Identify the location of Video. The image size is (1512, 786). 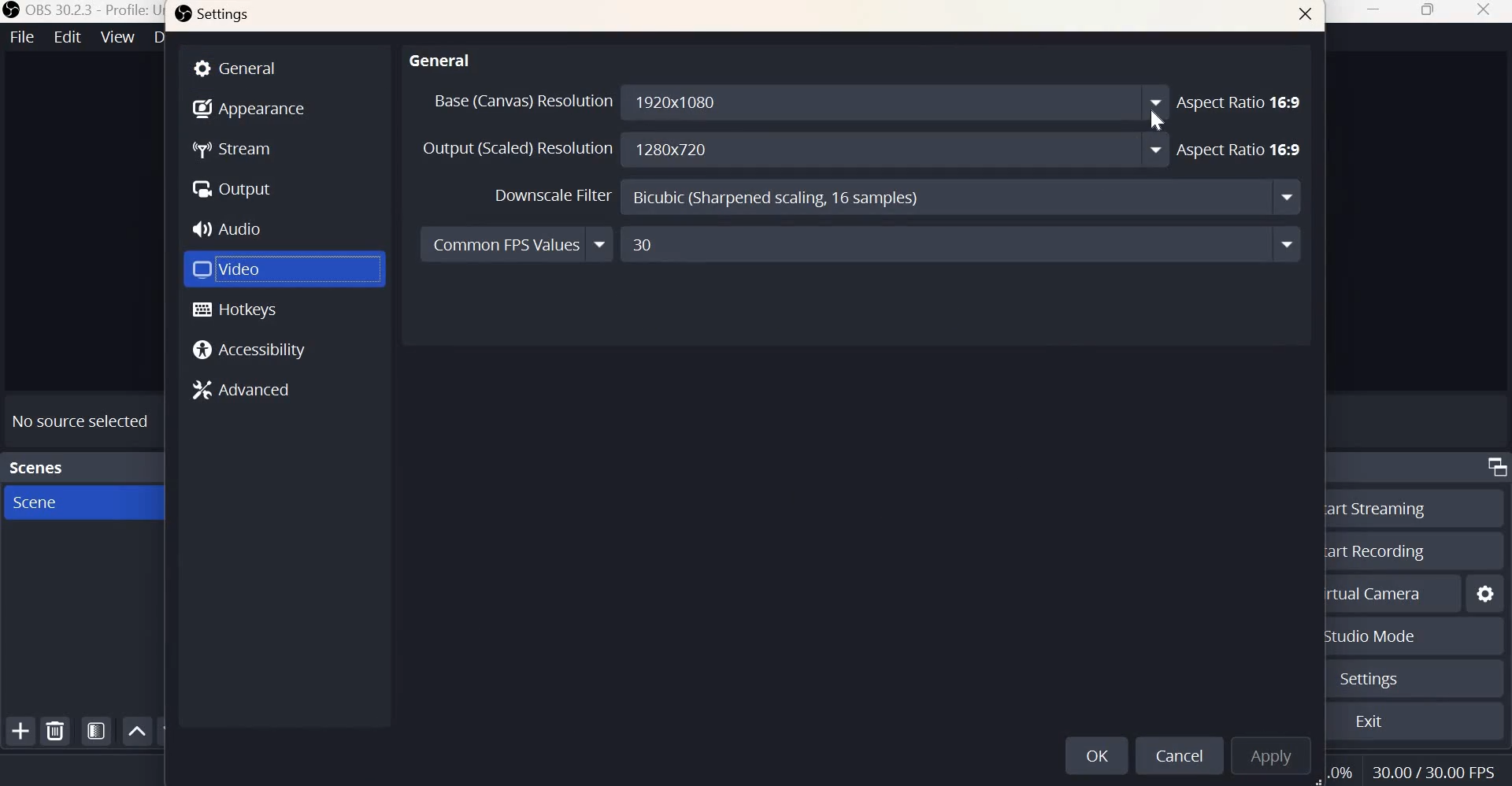
(231, 267).